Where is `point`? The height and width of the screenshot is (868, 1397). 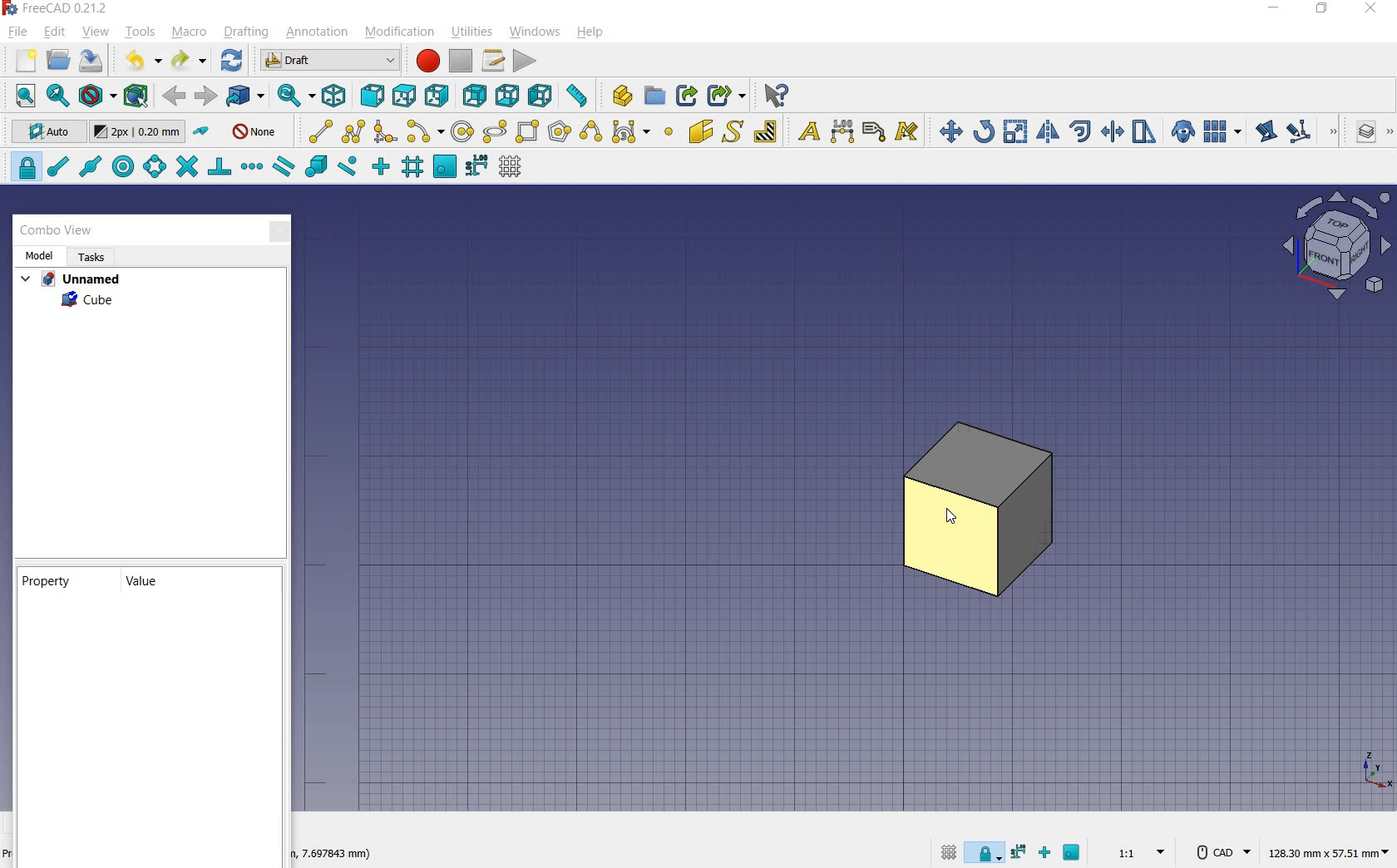 point is located at coordinates (669, 133).